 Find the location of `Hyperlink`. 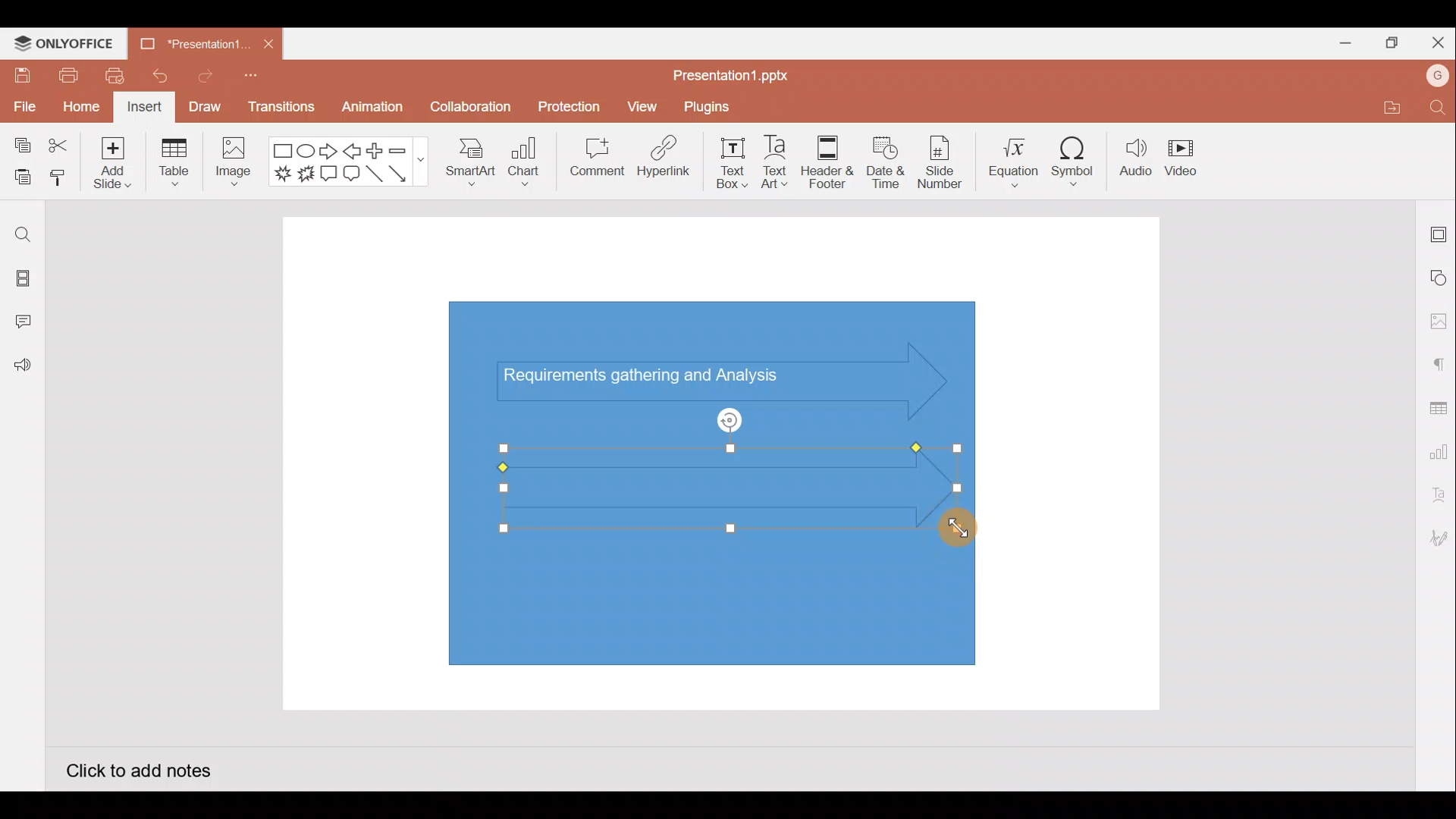

Hyperlink is located at coordinates (660, 158).